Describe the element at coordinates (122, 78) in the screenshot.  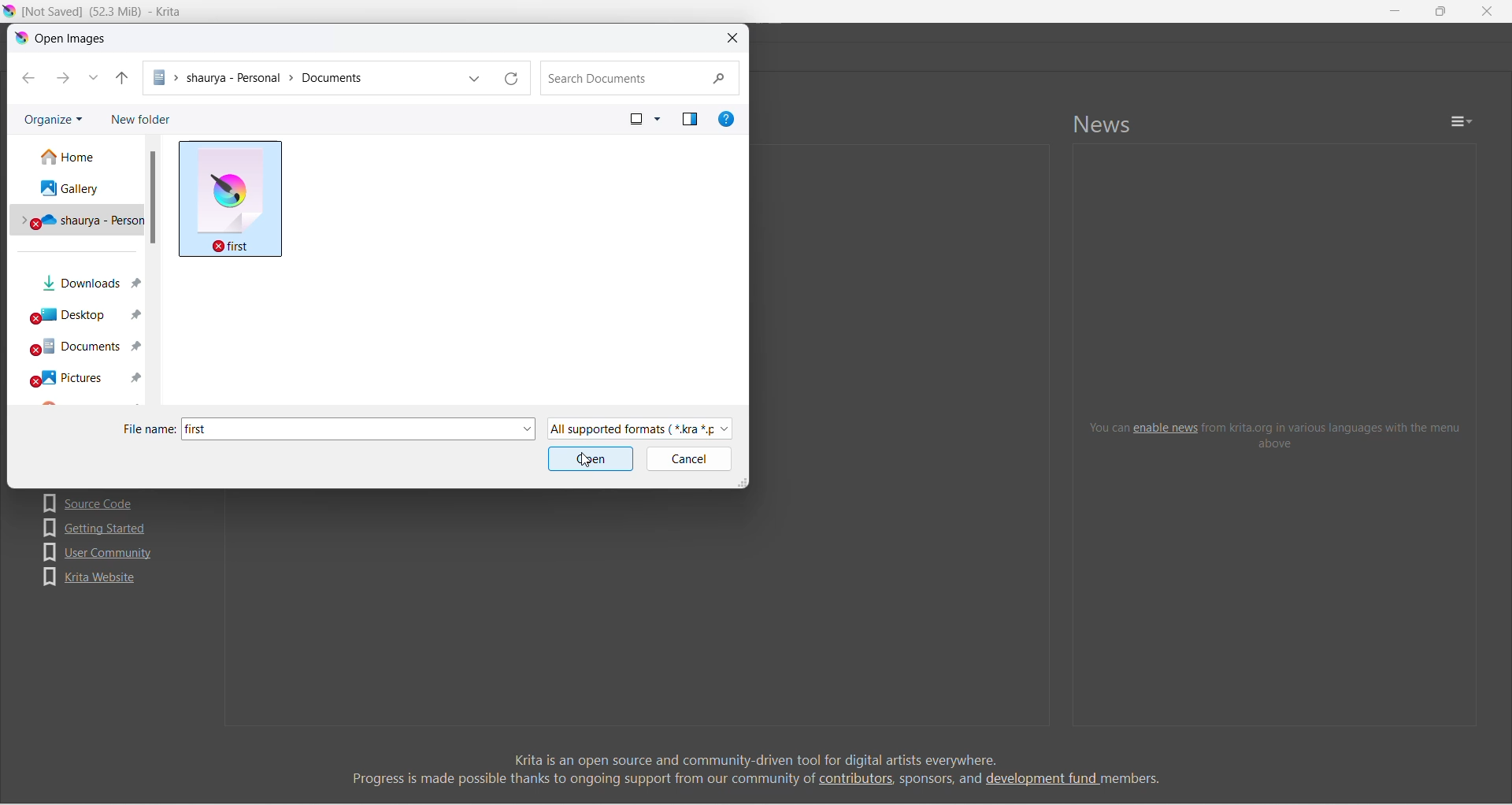
I see `up to` at that location.